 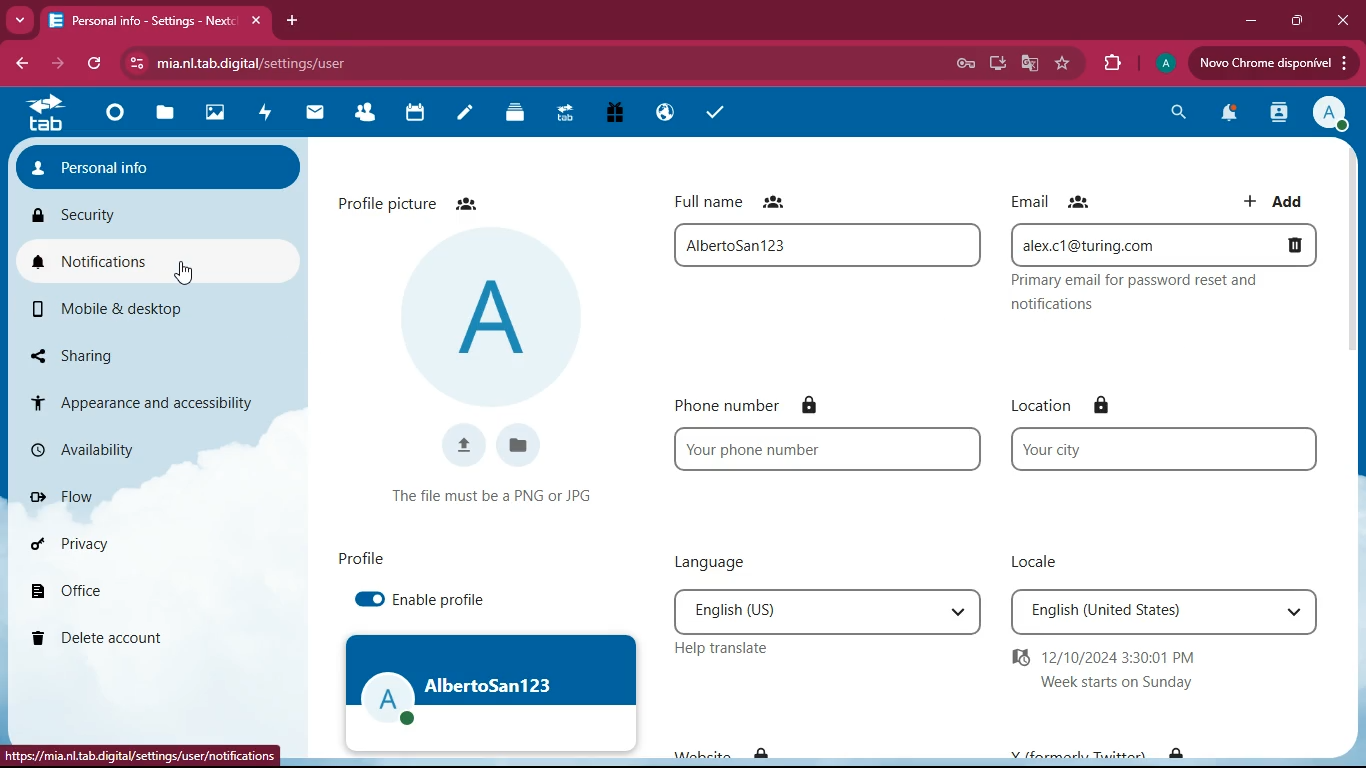 What do you see at coordinates (67, 544) in the screenshot?
I see `priva` at bounding box center [67, 544].